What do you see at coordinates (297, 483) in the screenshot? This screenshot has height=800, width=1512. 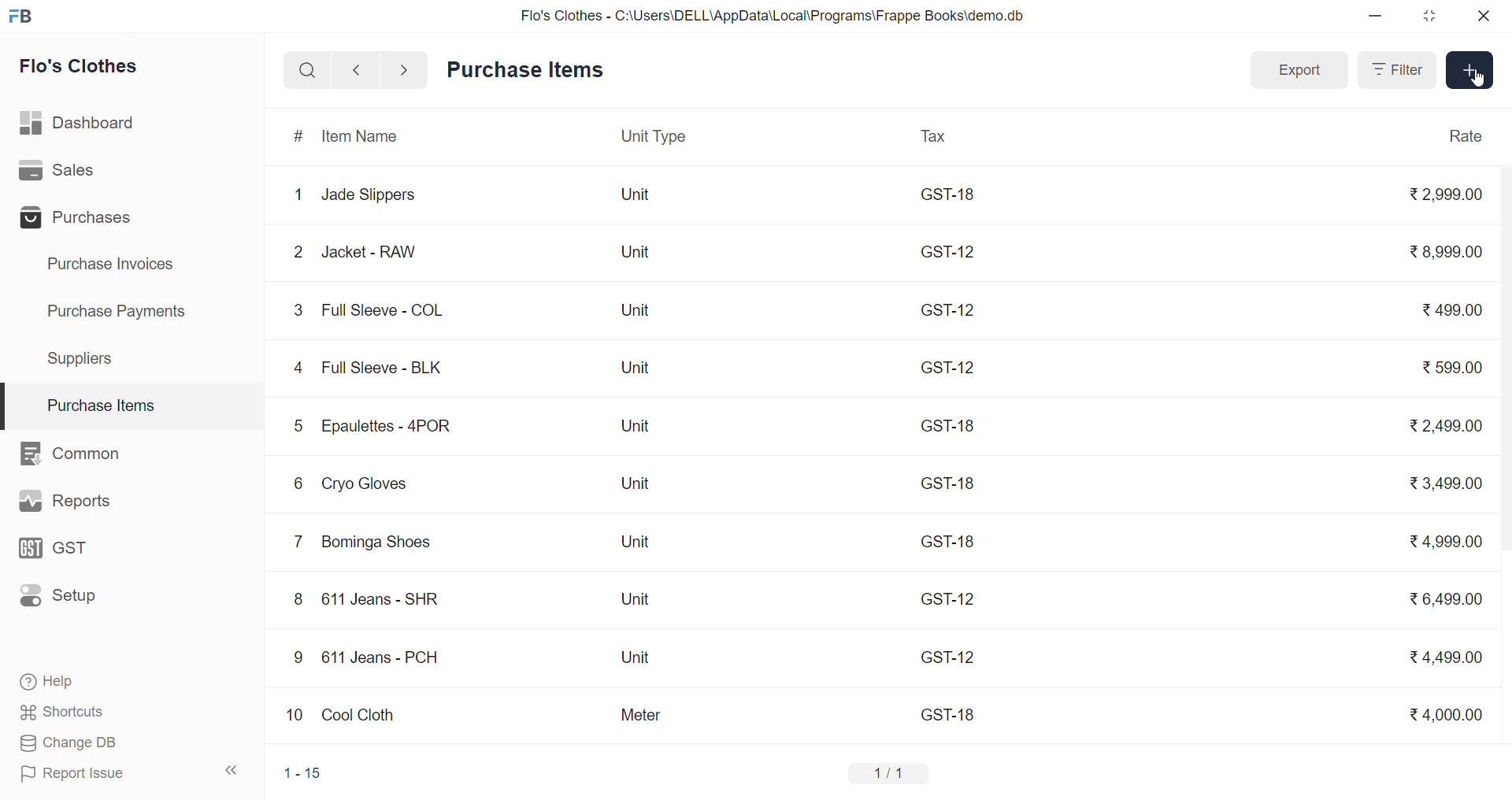 I see `6` at bounding box center [297, 483].